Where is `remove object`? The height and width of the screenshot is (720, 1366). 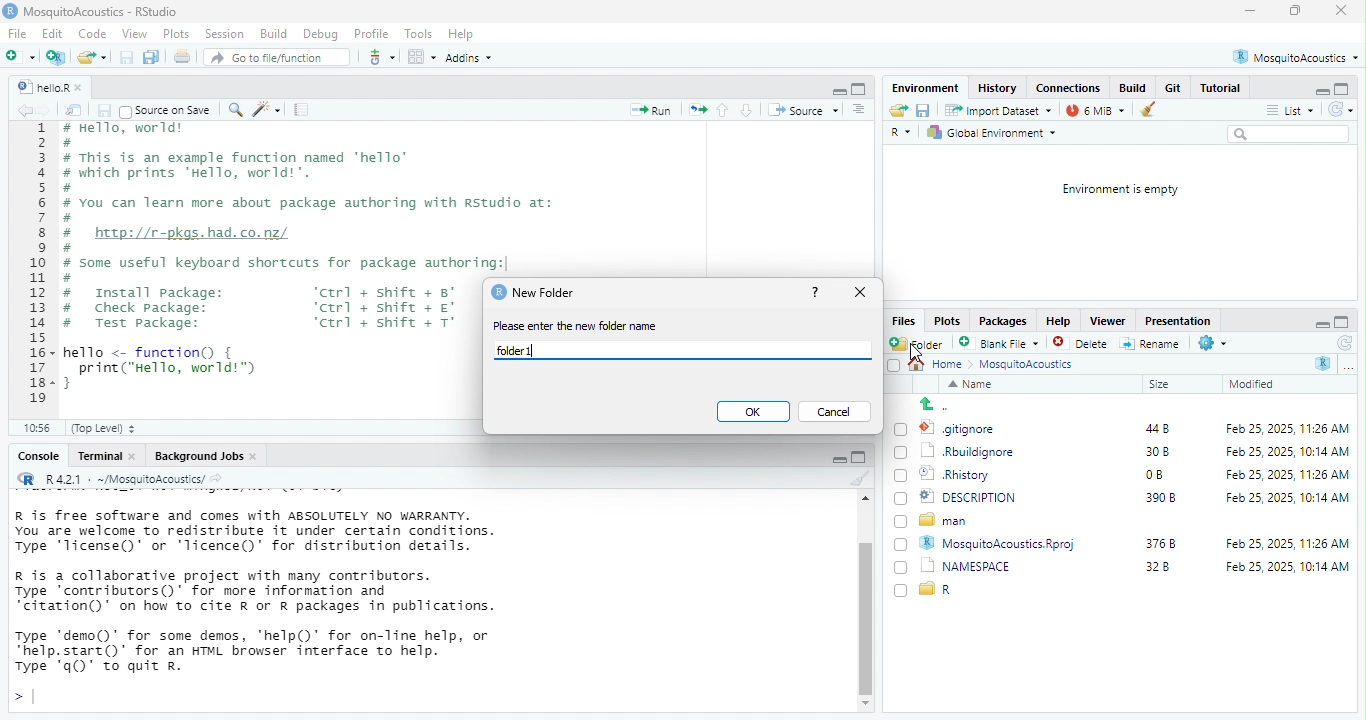 remove object is located at coordinates (1156, 110).